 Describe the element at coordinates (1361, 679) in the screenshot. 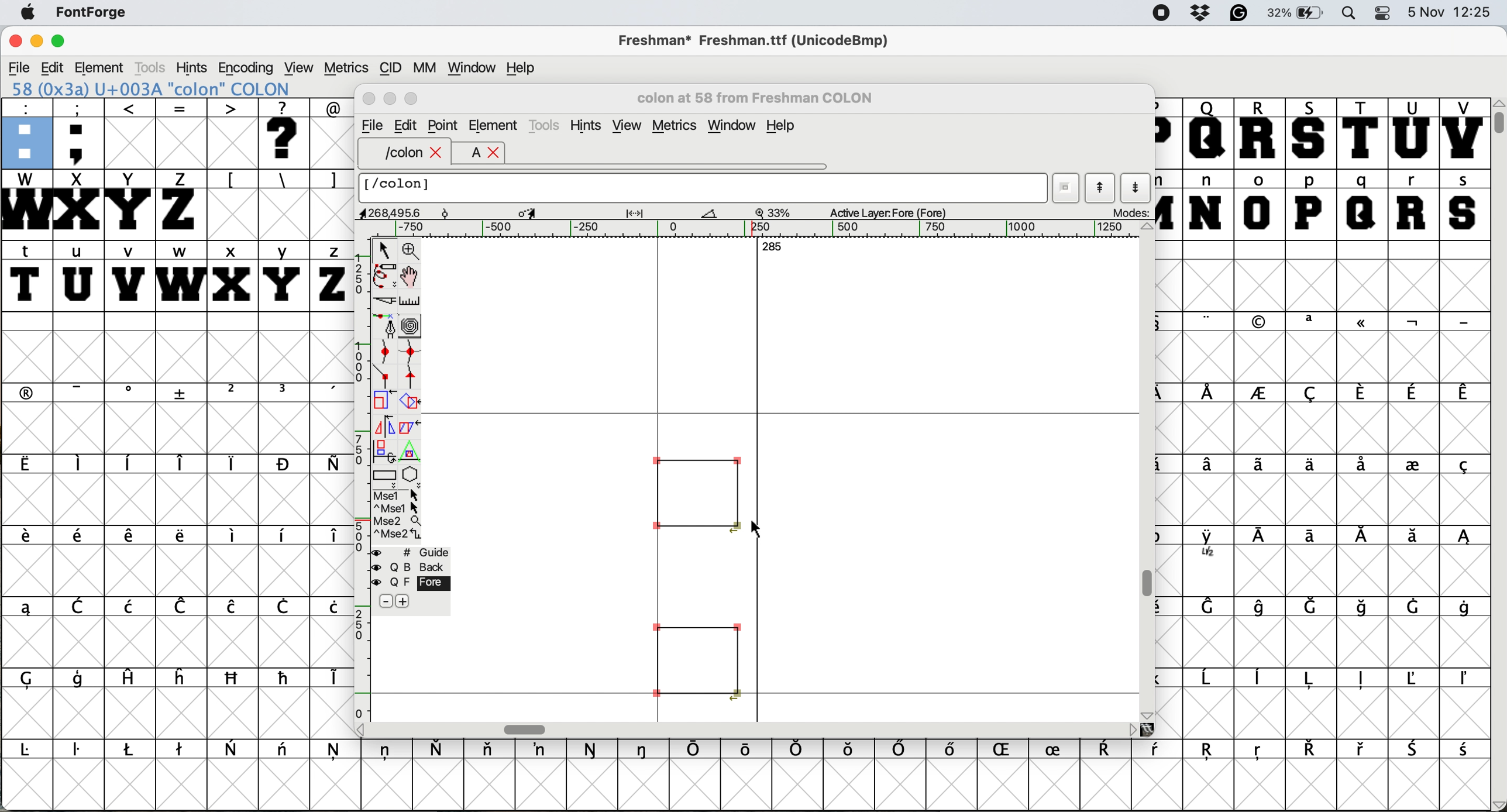

I see `symbol` at that location.